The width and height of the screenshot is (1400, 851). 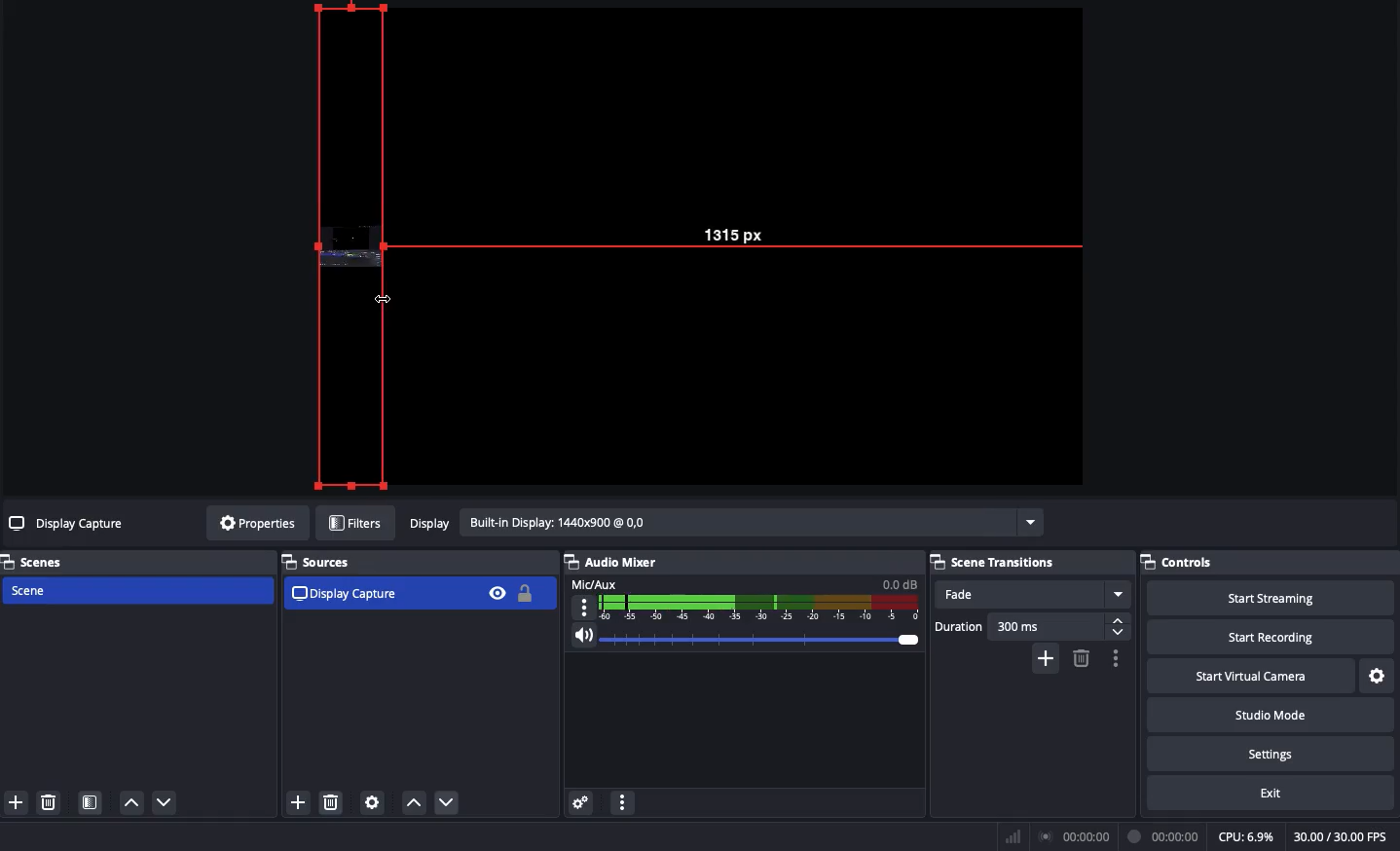 I want to click on Delete, so click(x=332, y=803).